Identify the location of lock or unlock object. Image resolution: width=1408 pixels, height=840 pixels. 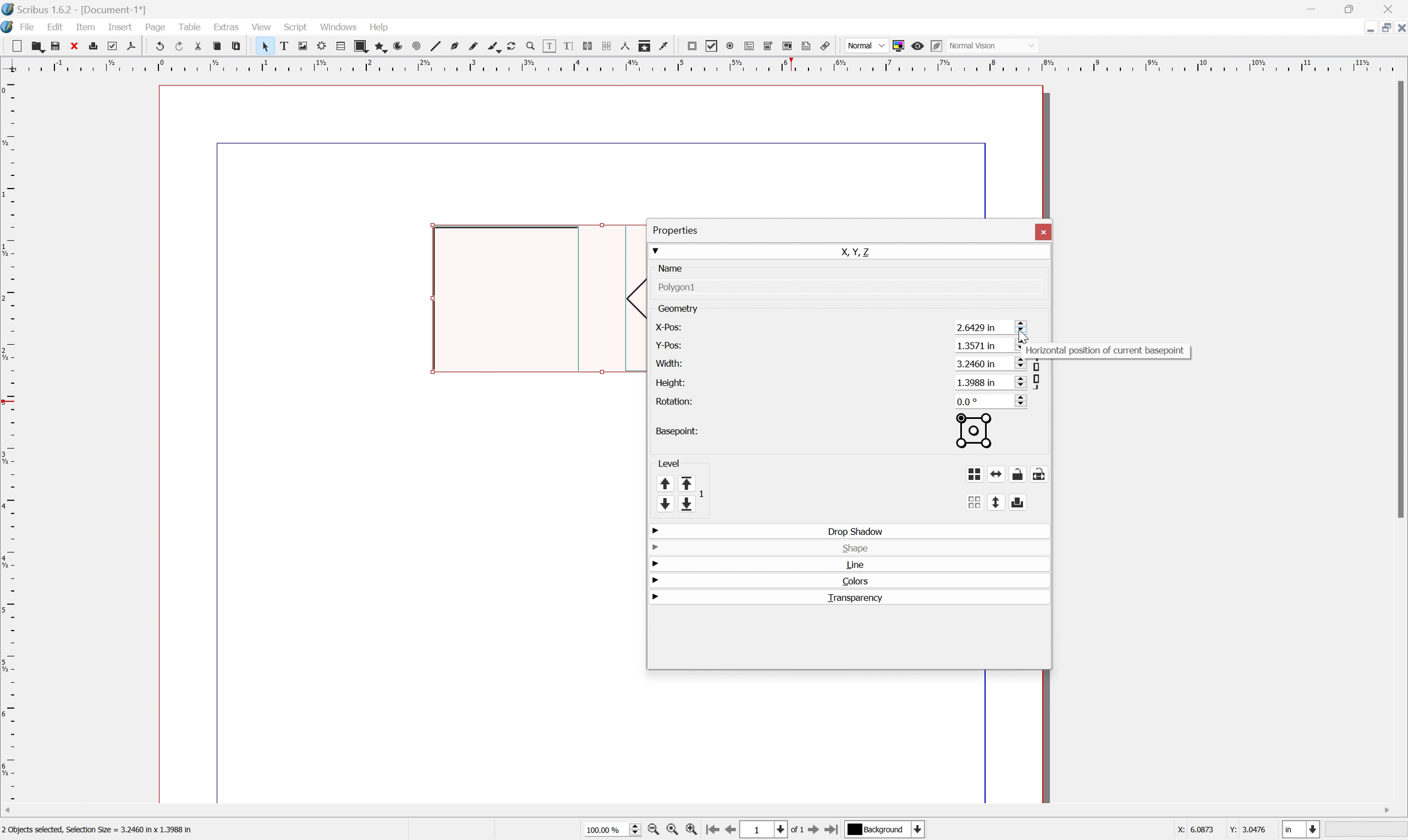
(1016, 474).